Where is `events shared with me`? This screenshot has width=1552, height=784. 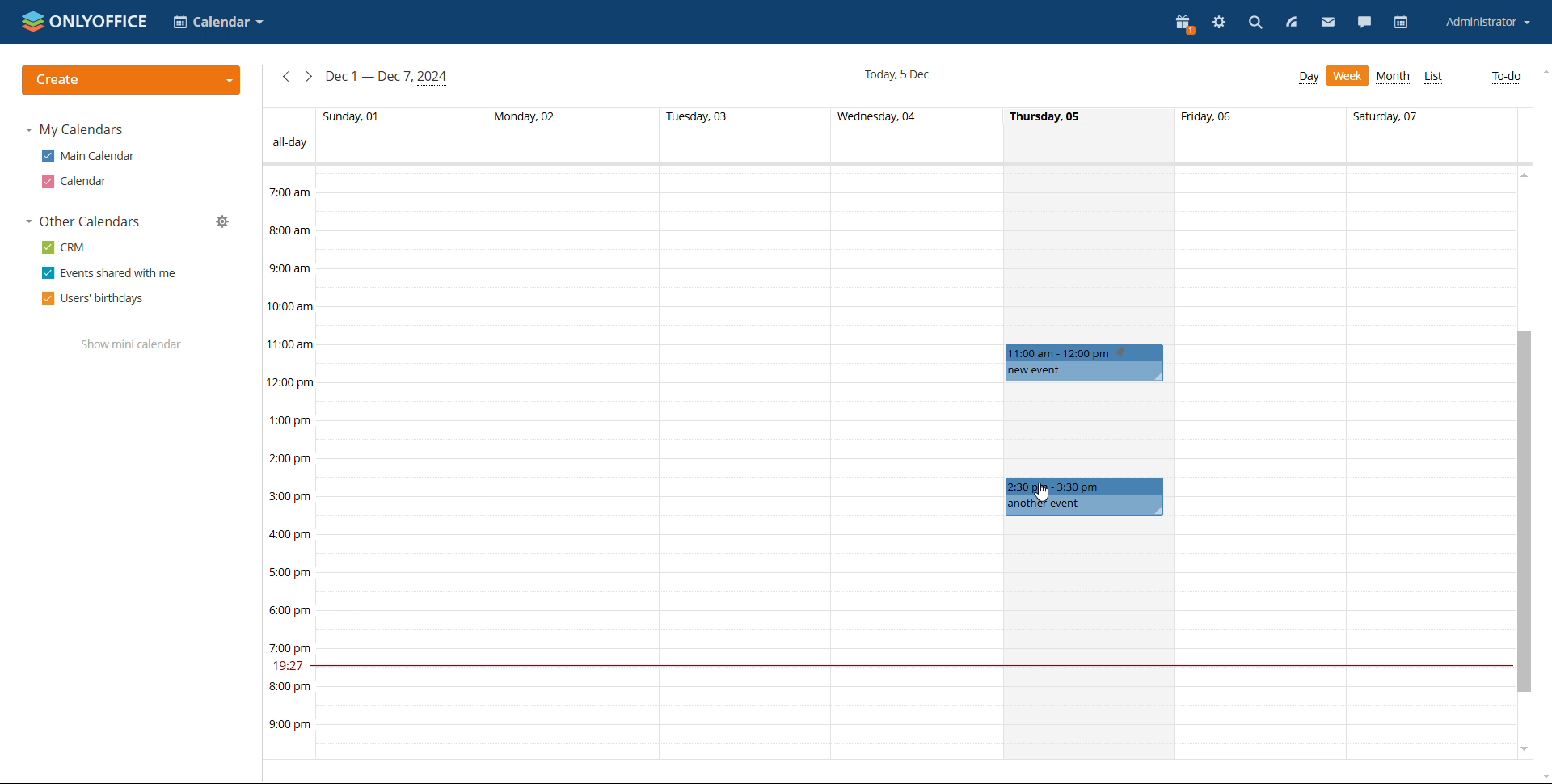
events shared with me is located at coordinates (109, 273).